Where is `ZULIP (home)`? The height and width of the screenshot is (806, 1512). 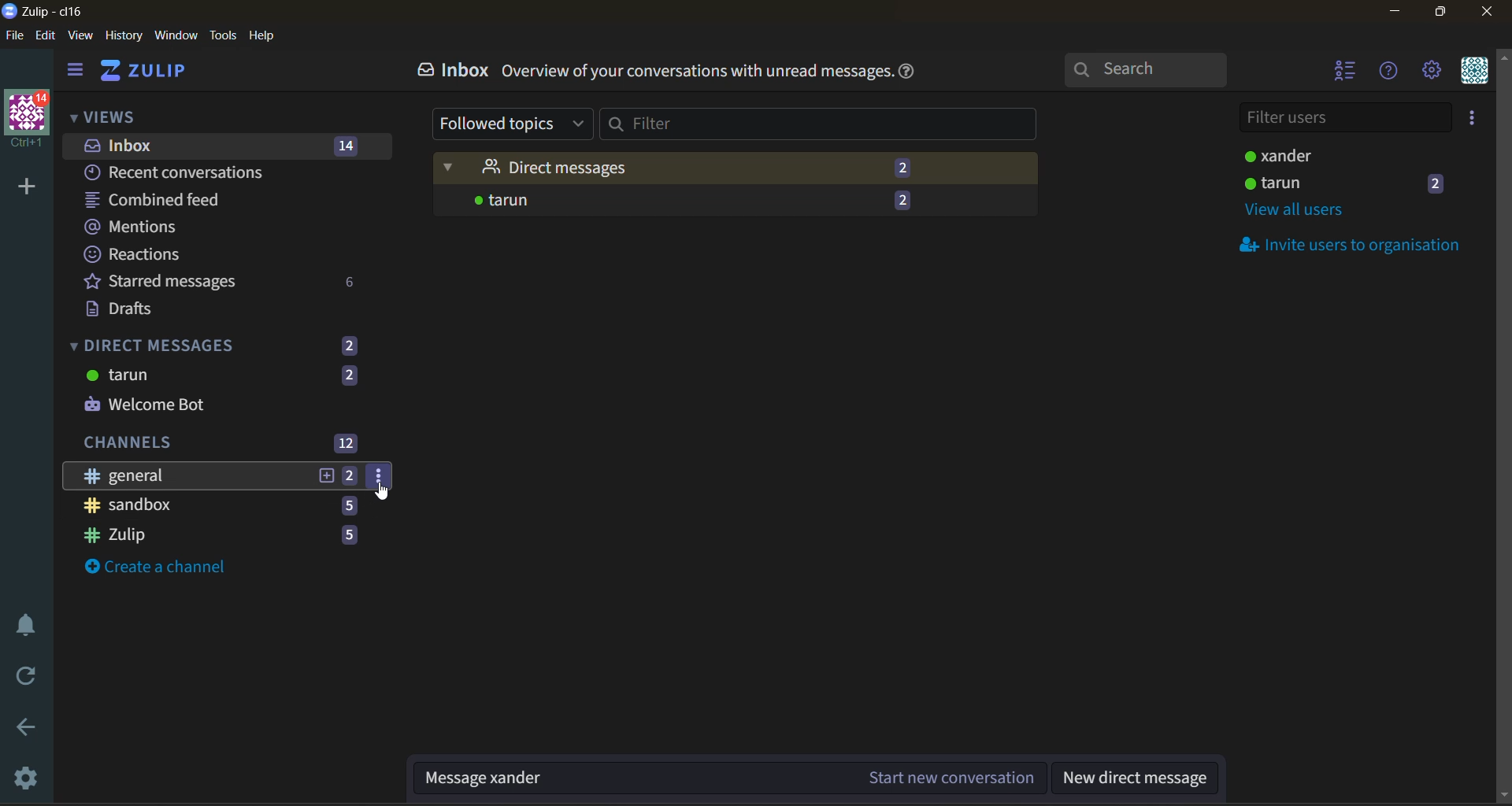 ZULIP (home) is located at coordinates (144, 72).